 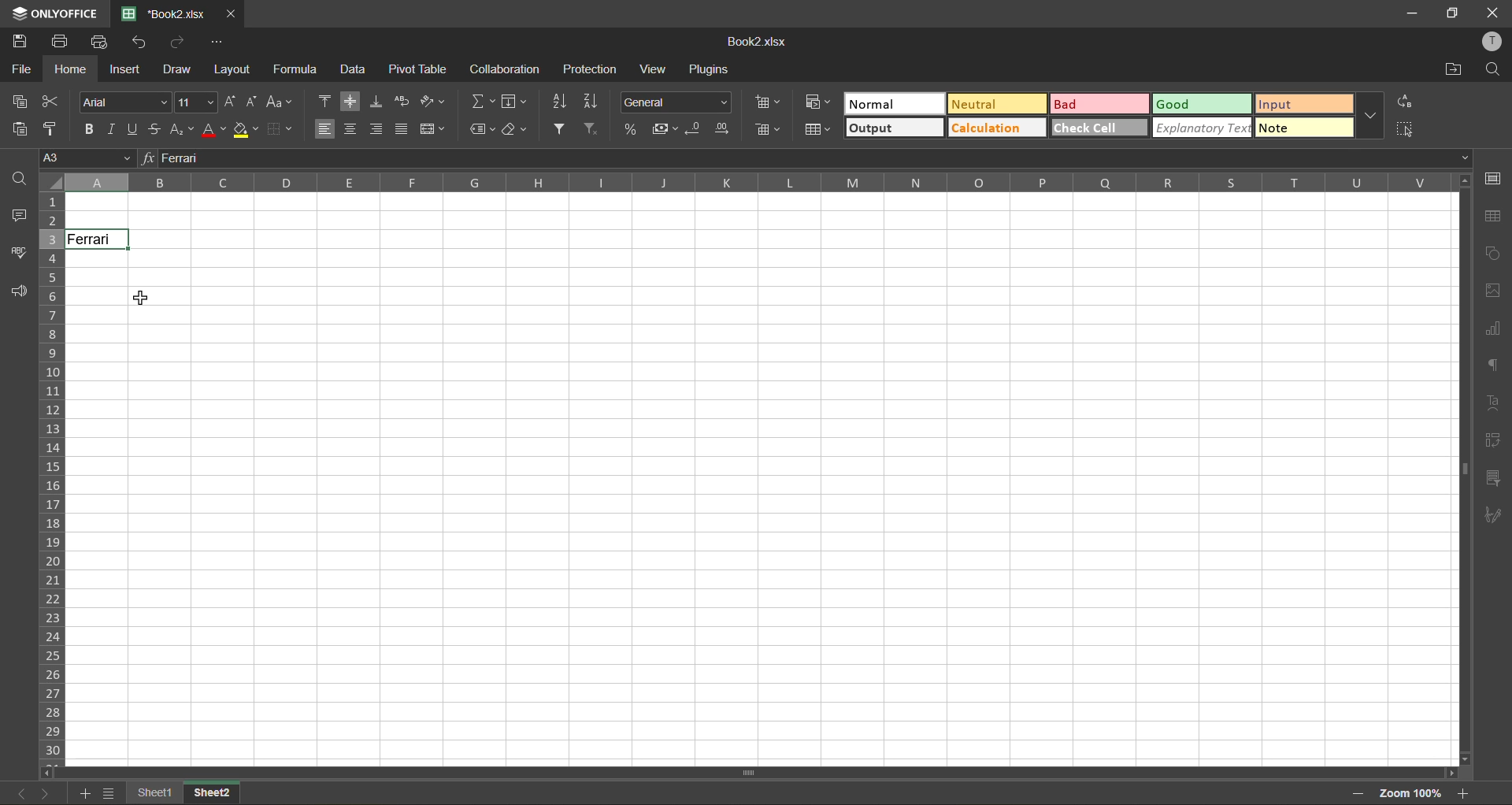 What do you see at coordinates (326, 99) in the screenshot?
I see `align top` at bounding box center [326, 99].